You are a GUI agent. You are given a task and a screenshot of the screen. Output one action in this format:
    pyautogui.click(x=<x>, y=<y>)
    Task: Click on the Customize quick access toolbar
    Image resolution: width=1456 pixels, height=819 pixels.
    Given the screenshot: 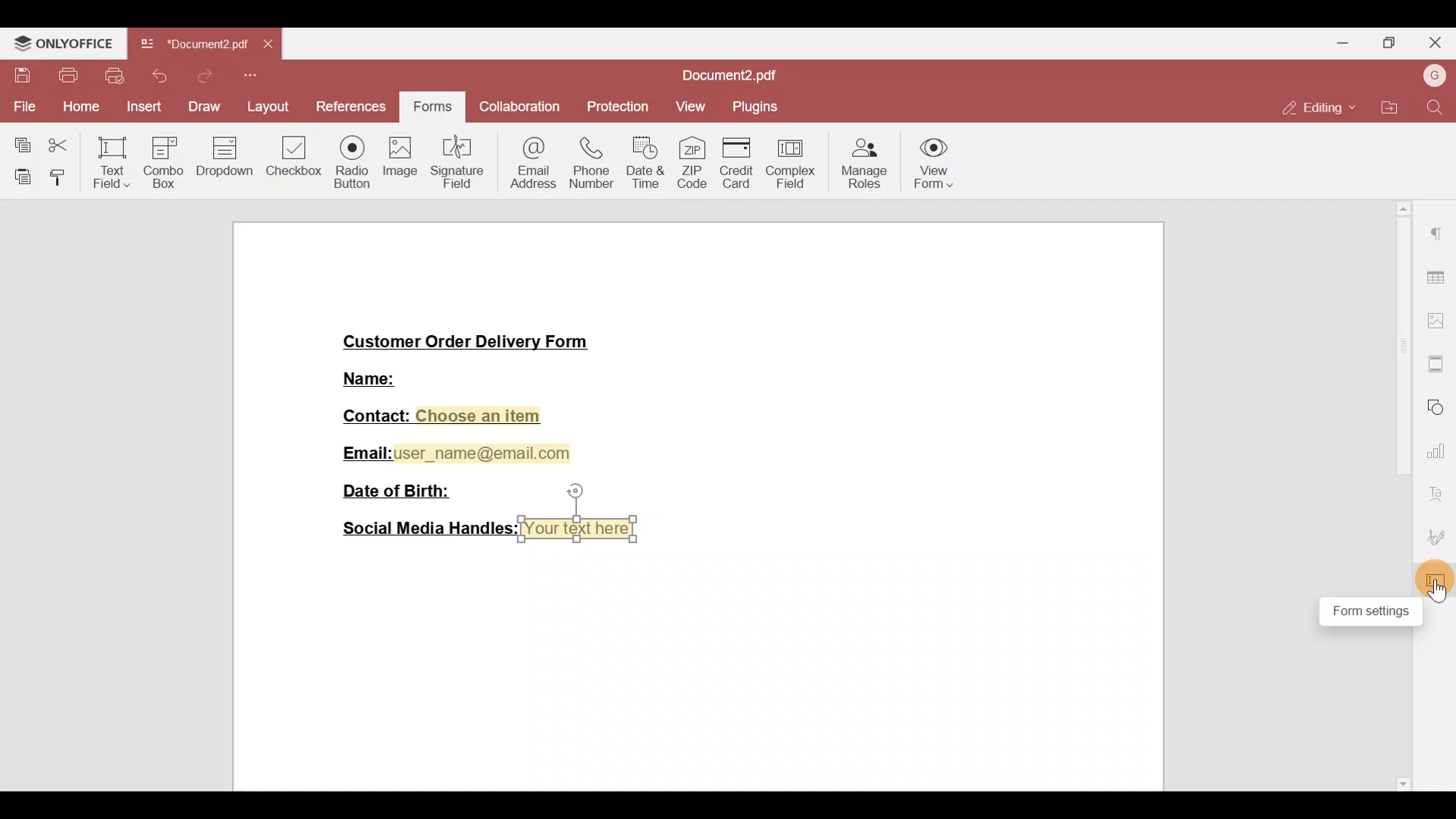 What is the action you would take?
    pyautogui.click(x=251, y=76)
    